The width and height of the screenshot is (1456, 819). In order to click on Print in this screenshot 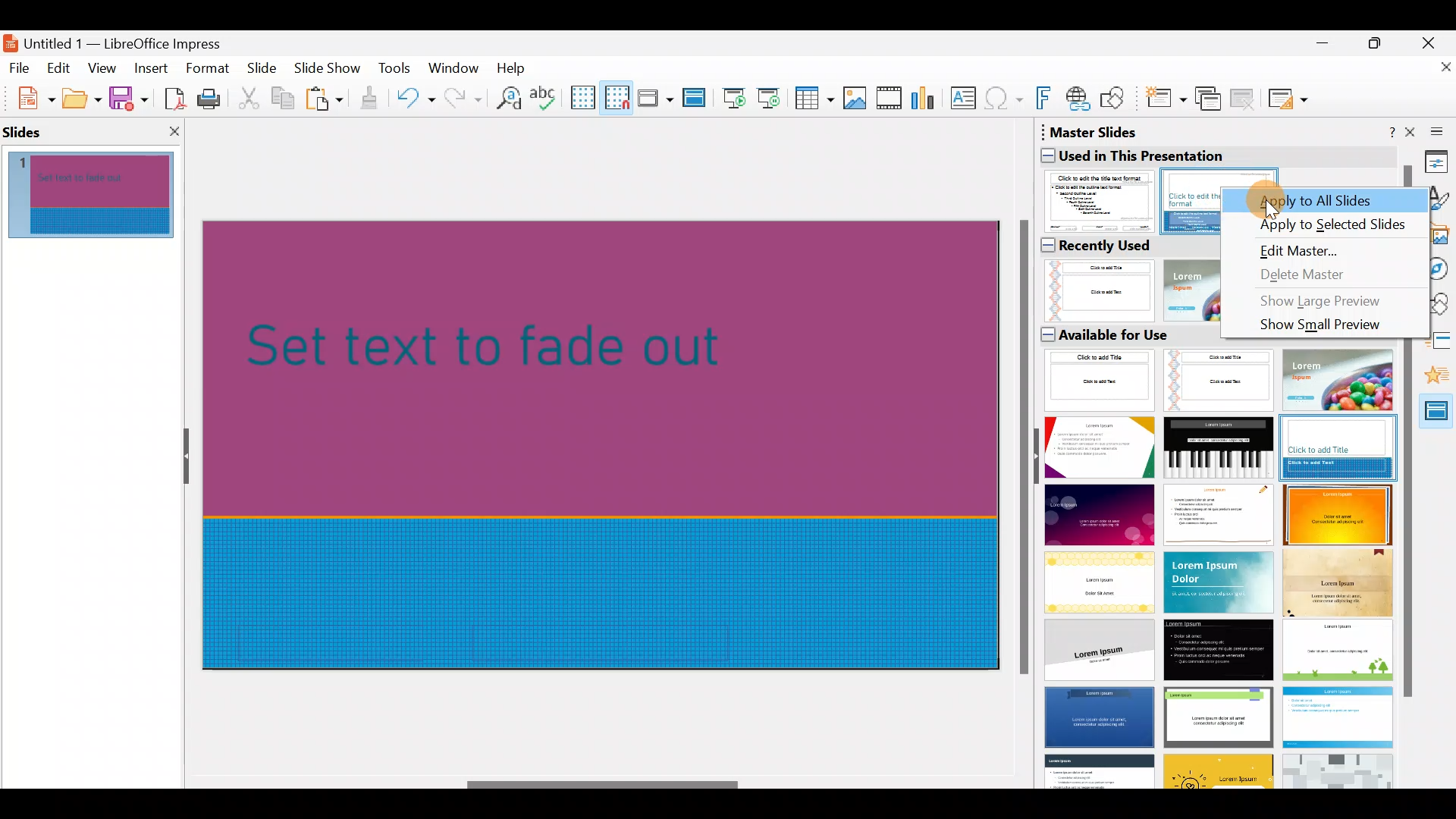, I will do `click(213, 100)`.